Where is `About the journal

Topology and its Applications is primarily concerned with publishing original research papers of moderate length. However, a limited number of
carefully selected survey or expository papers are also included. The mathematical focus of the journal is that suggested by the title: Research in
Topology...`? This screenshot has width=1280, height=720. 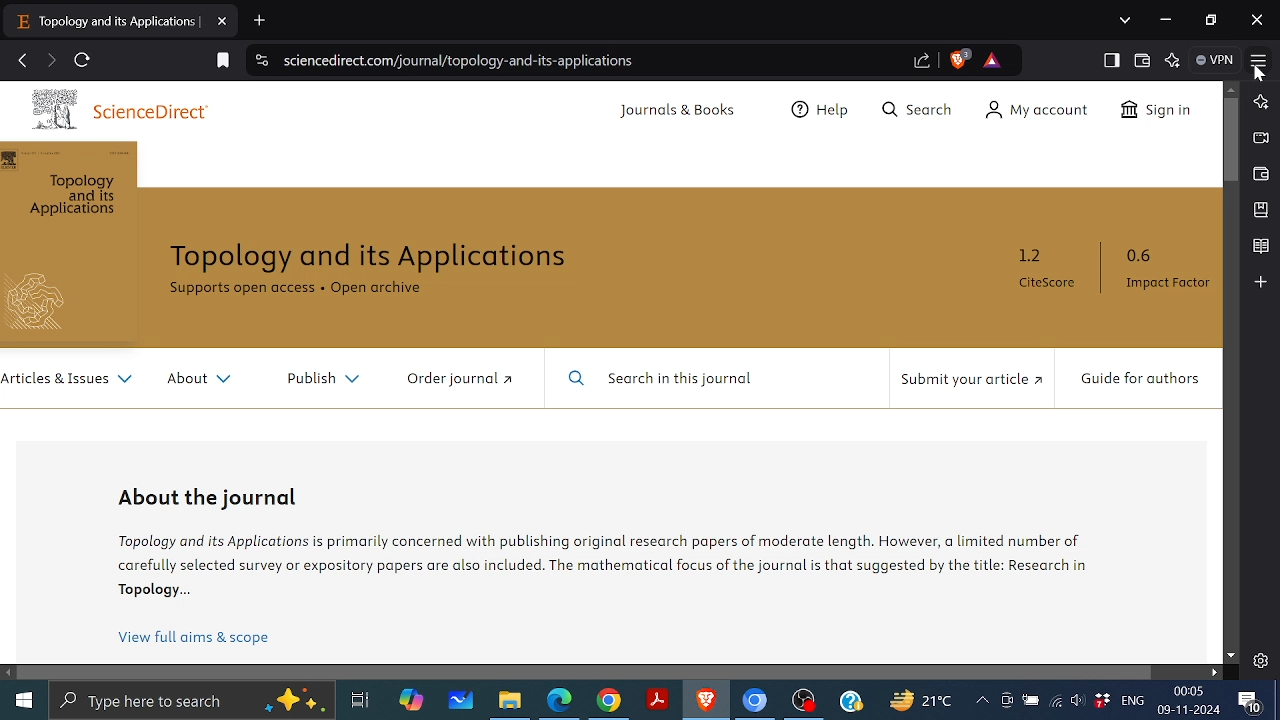 About the journal

Topology and its Applications is primarily concerned with publishing original research papers of moderate length. However, a limited number of
carefully selected survey or expository papers are also included. The mathematical focus of the journal is that suggested by the title: Research in
Topology... is located at coordinates (607, 544).